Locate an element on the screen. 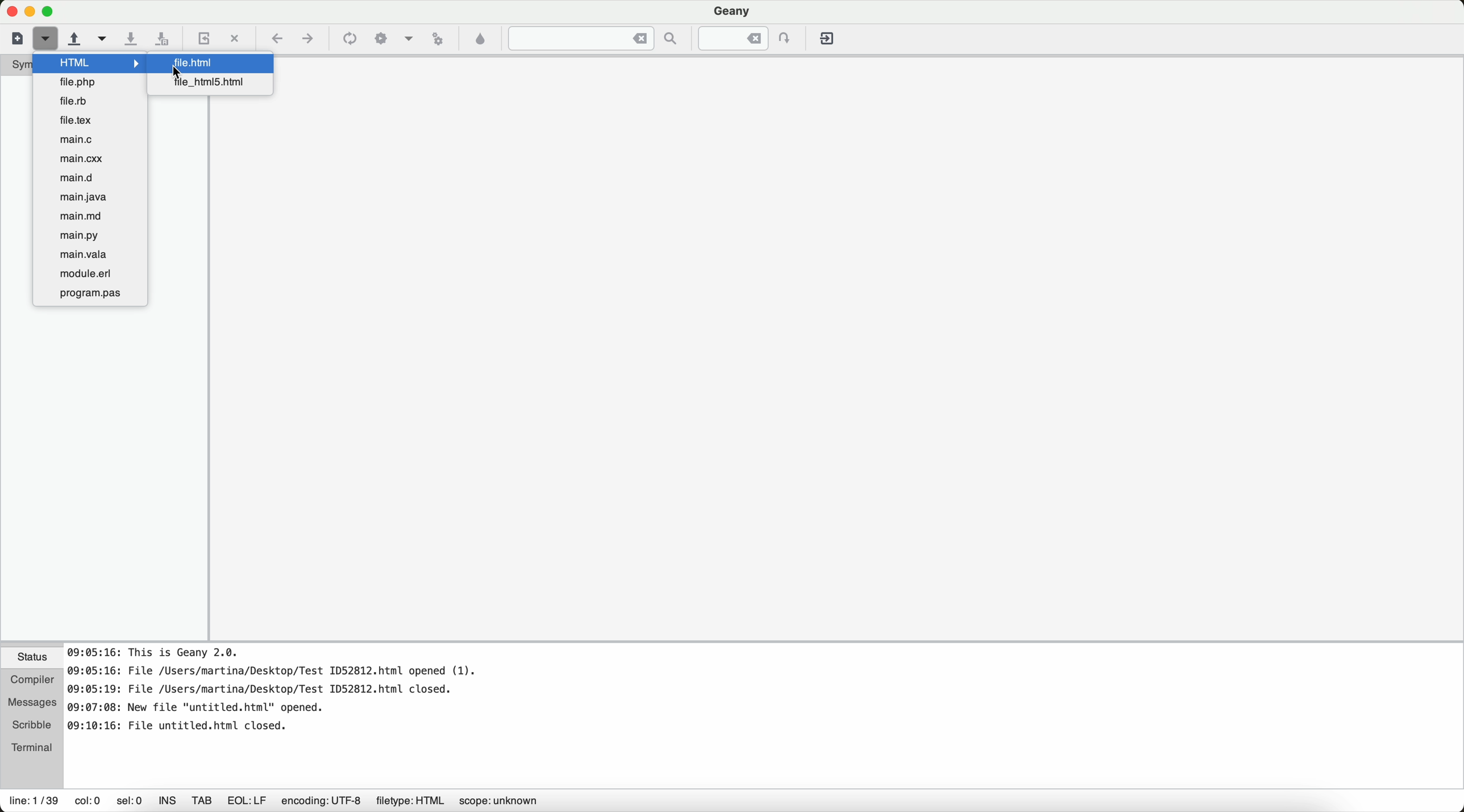  file.php is located at coordinates (90, 82).